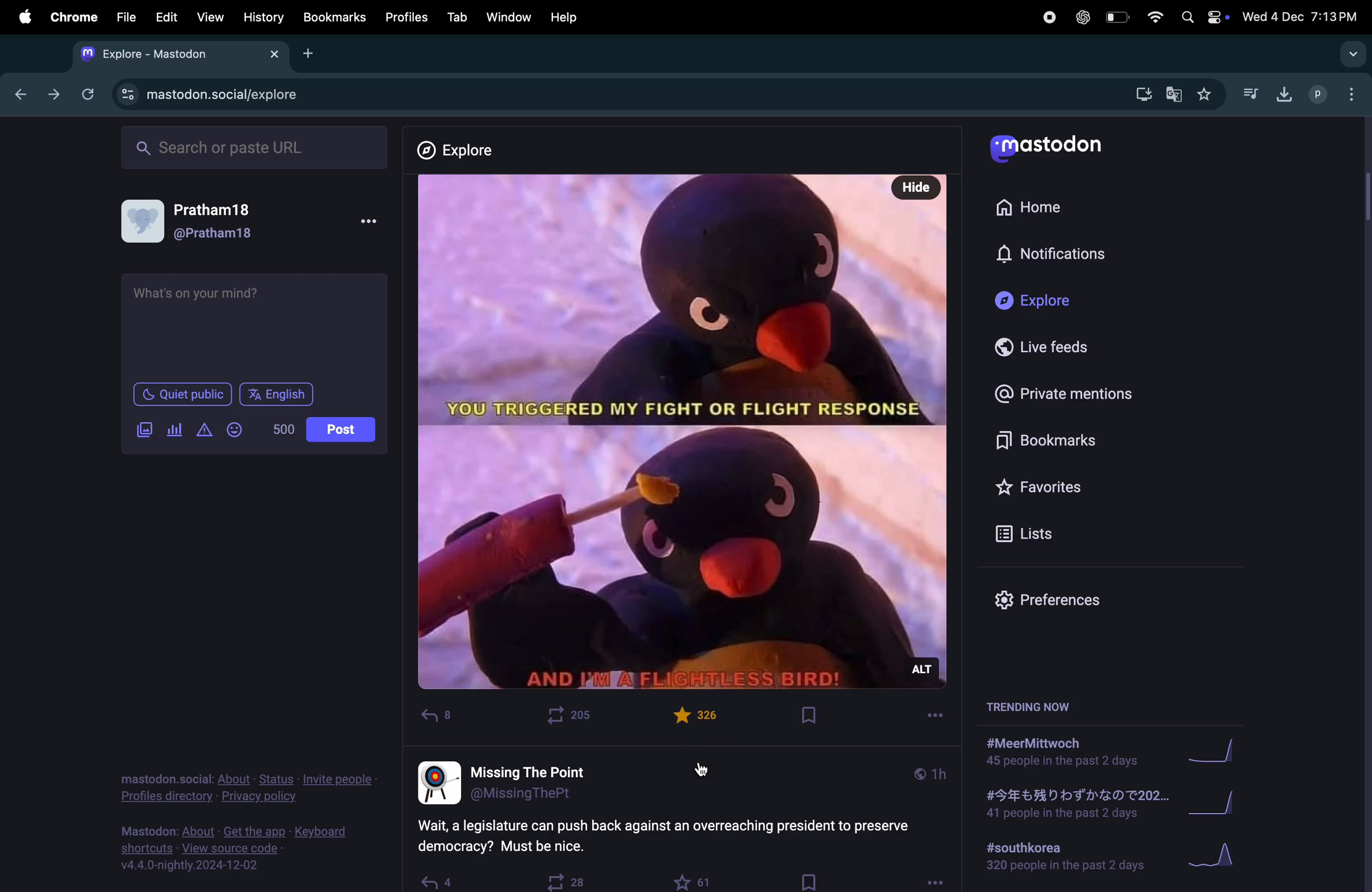 This screenshot has width=1372, height=892. What do you see at coordinates (1283, 93) in the screenshot?
I see `download` at bounding box center [1283, 93].